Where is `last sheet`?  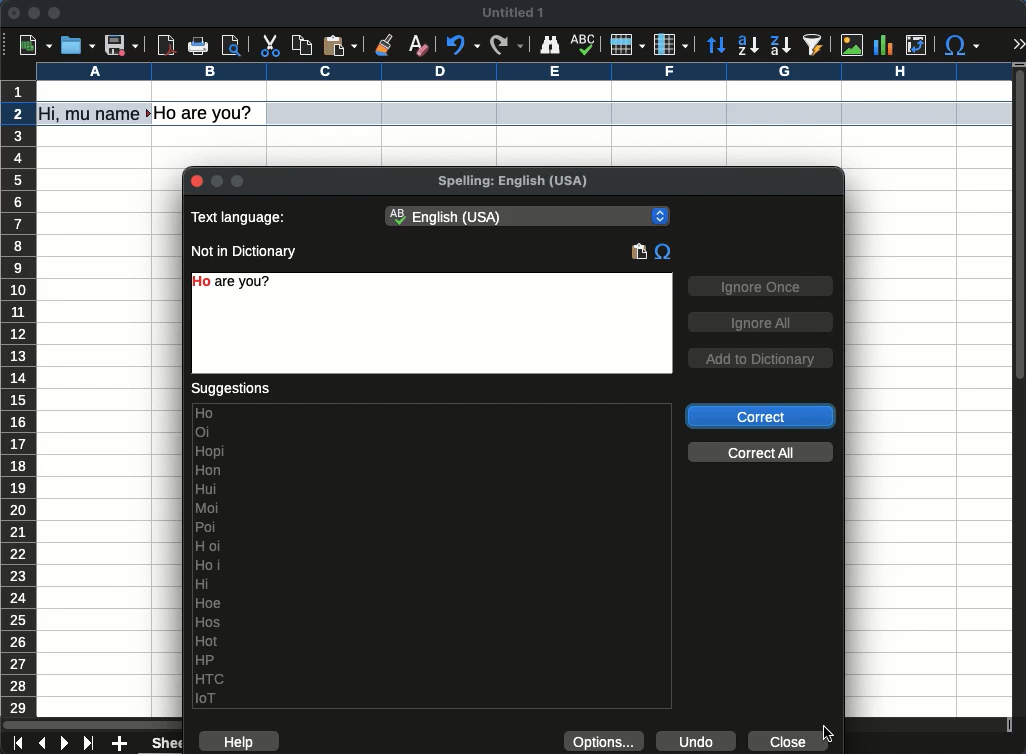 last sheet is located at coordinates (91, 744).